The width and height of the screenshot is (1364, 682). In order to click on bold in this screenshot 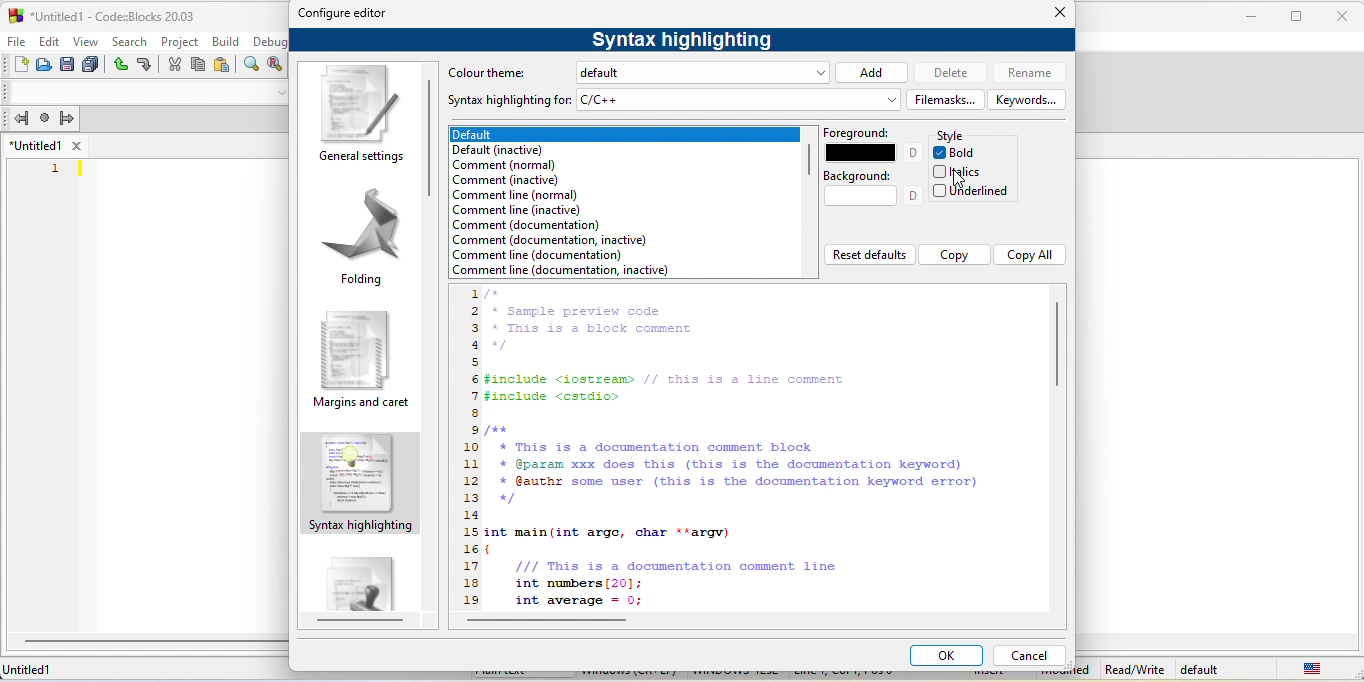, I will do `click(960, 153)`.